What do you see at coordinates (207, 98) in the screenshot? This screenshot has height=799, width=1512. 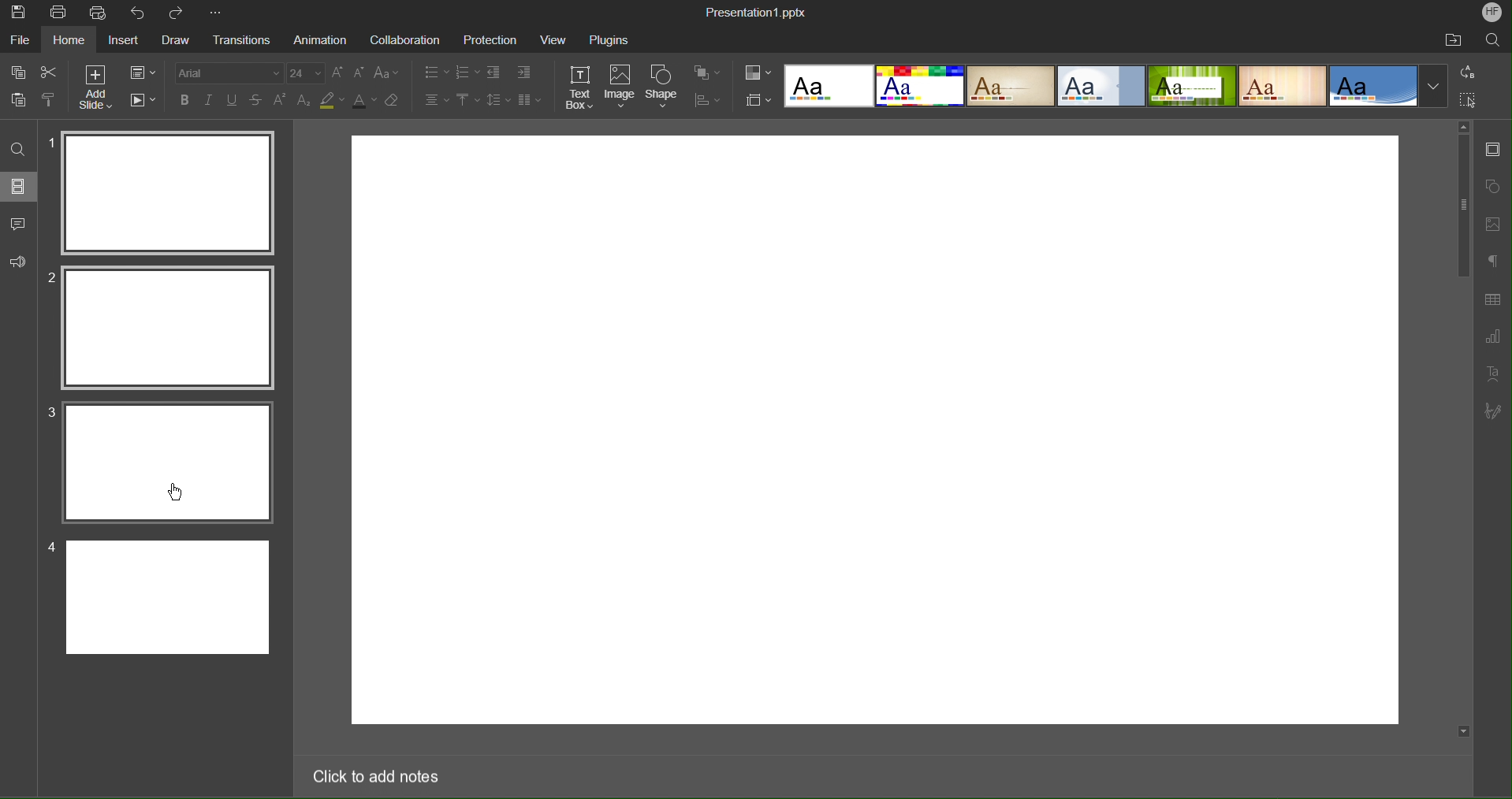 I see `italics` at bounding box center [207, 98].